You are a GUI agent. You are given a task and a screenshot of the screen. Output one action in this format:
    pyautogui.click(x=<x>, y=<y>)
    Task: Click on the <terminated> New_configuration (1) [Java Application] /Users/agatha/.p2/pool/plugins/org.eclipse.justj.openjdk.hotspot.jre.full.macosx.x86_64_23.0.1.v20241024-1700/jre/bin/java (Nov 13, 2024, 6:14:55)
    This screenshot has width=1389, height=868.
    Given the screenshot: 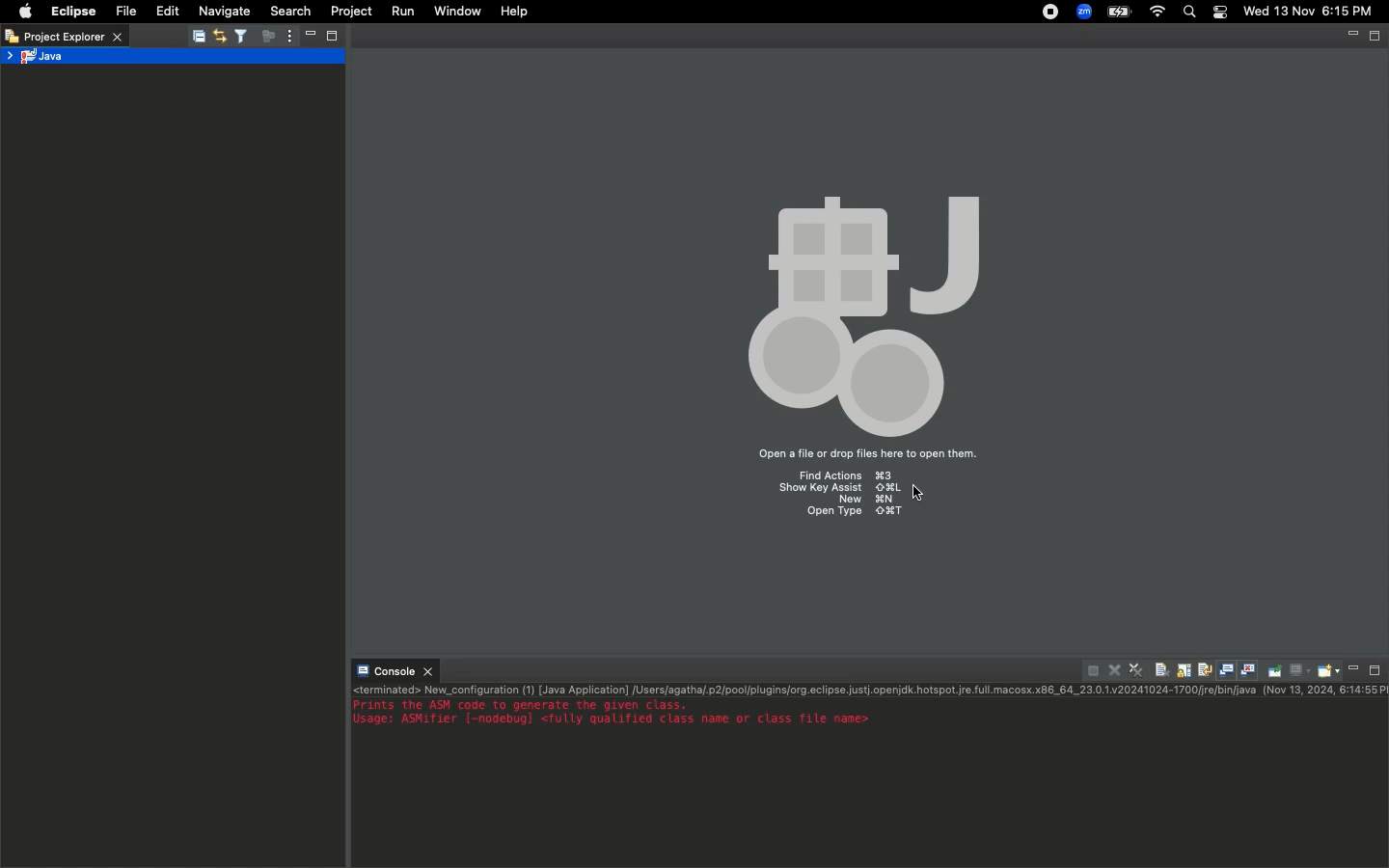 What is the action you would take?
    pyautogui.click(x=868, y=691)
    